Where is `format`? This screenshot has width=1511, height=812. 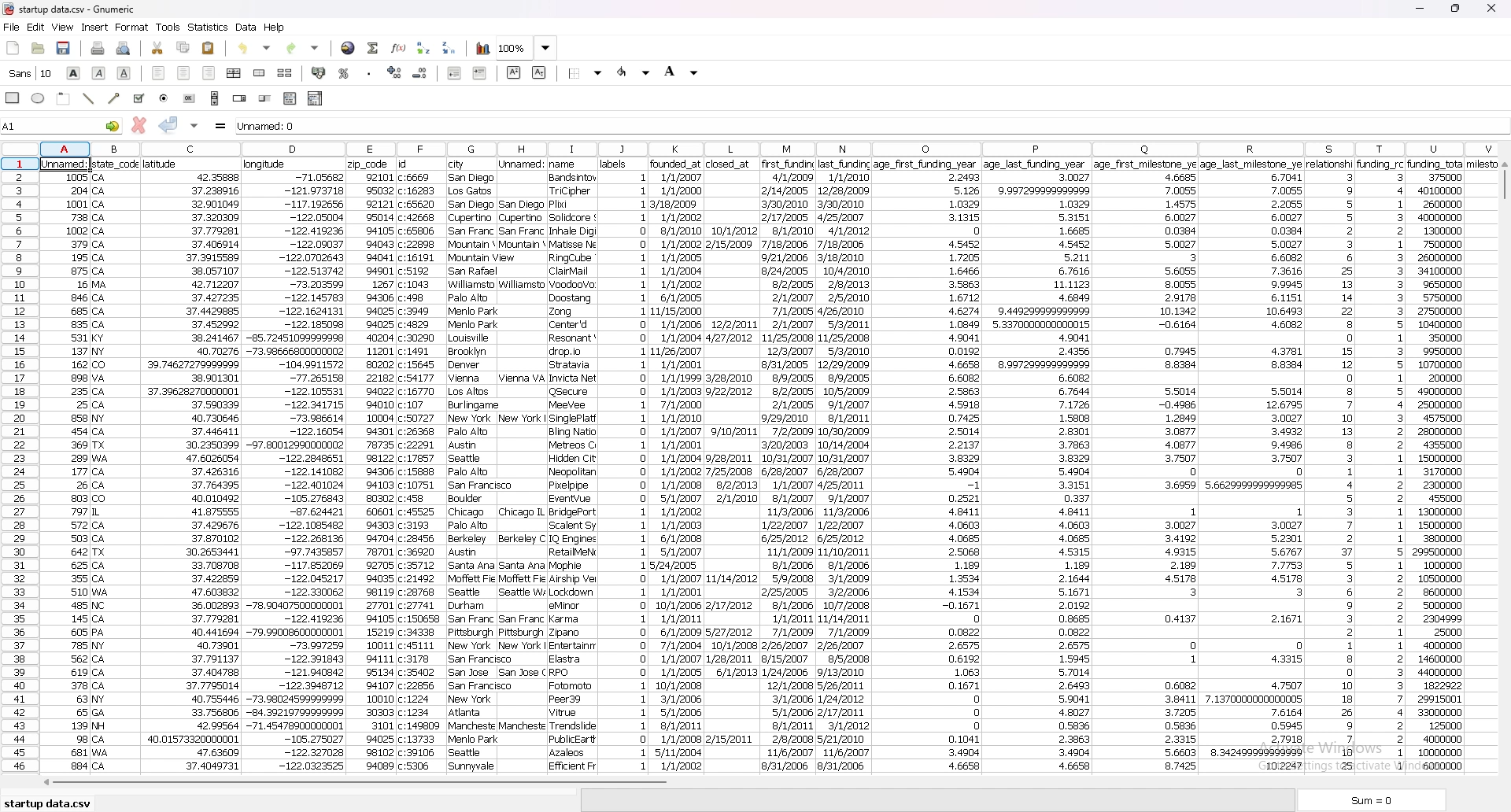
format is located at coordinates (133, 27).